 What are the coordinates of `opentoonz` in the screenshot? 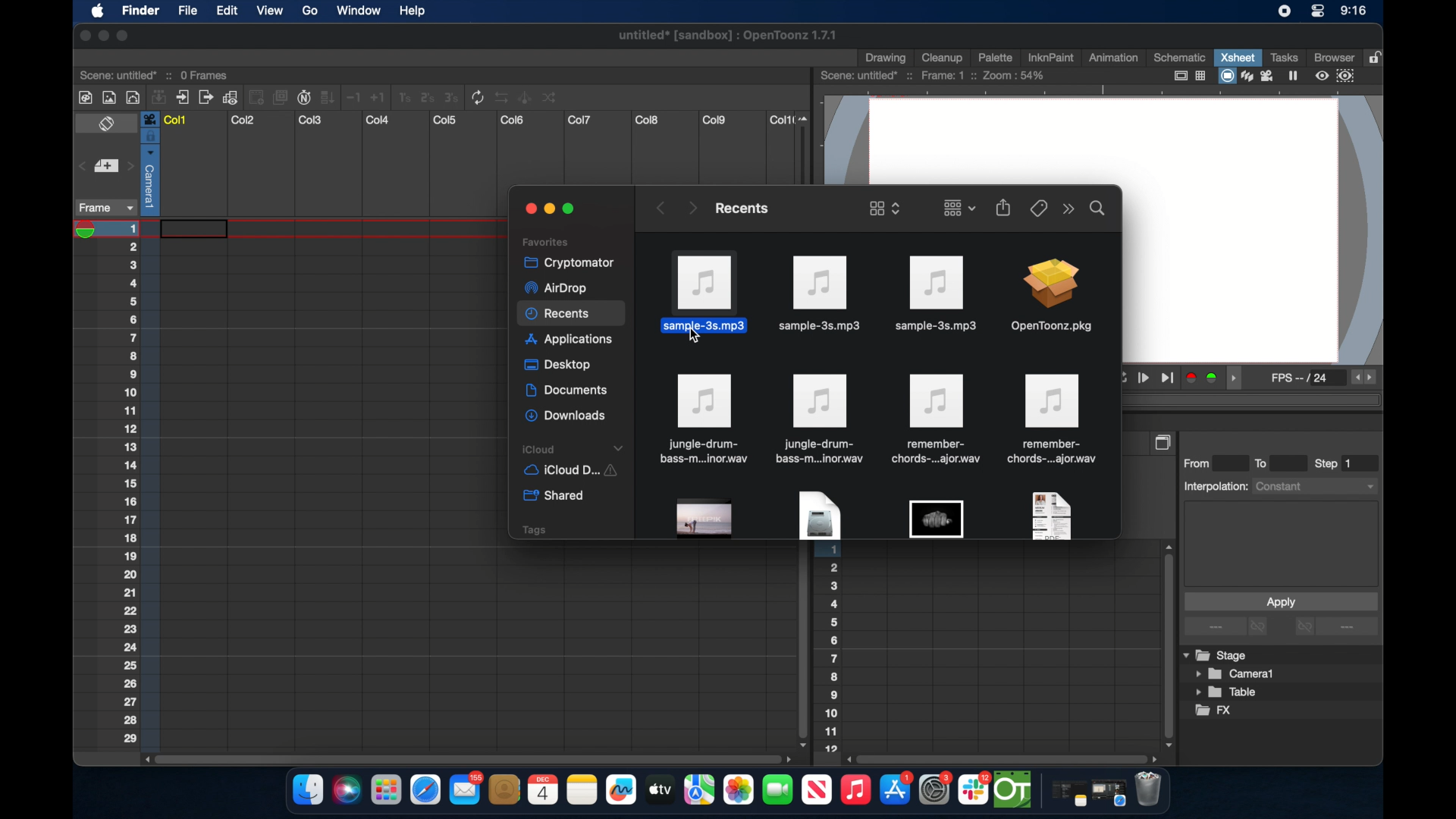 It's located at (1014, 790).